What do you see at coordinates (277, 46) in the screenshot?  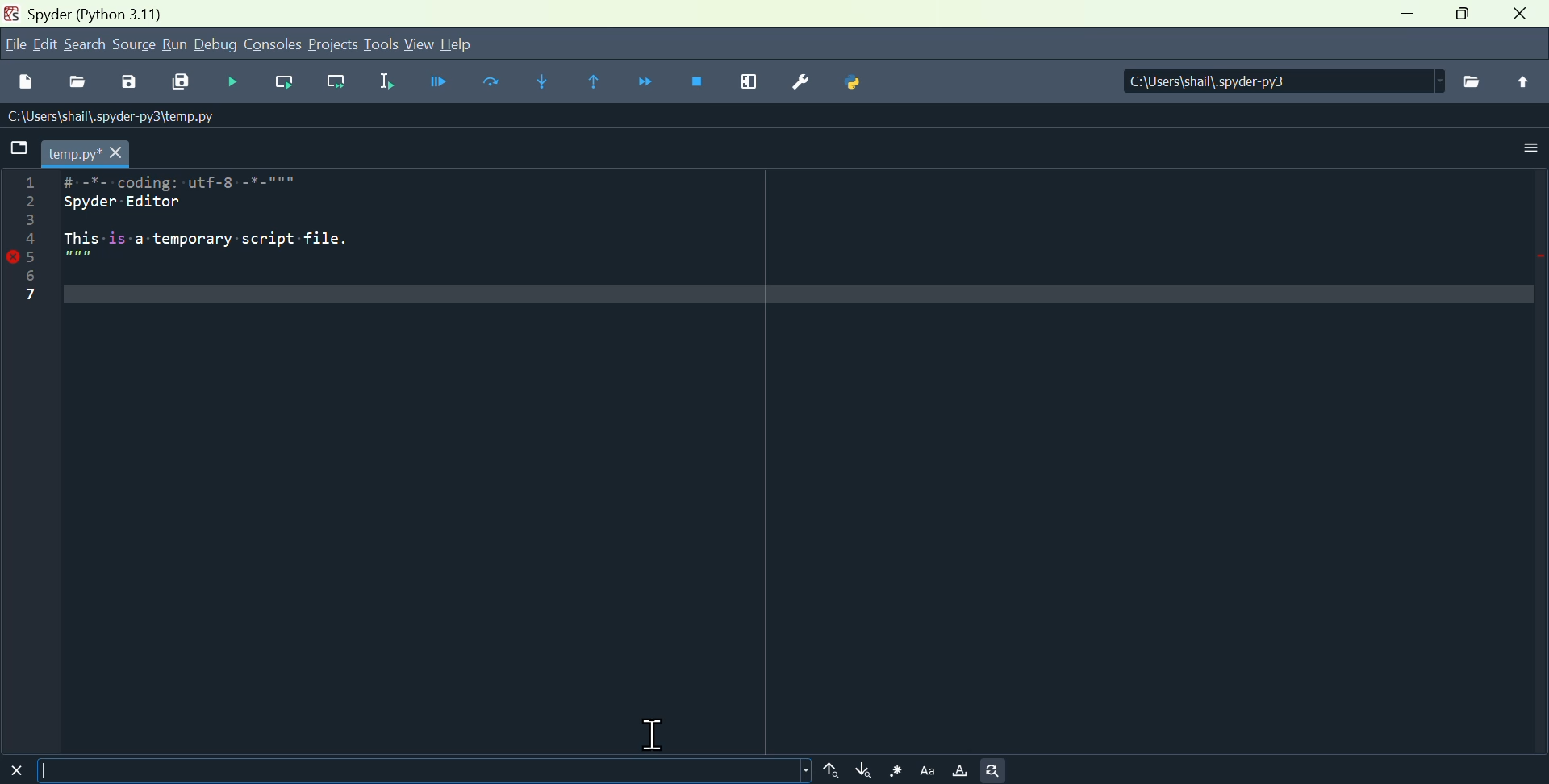 I see `Console` at bounding box center [277, 46].